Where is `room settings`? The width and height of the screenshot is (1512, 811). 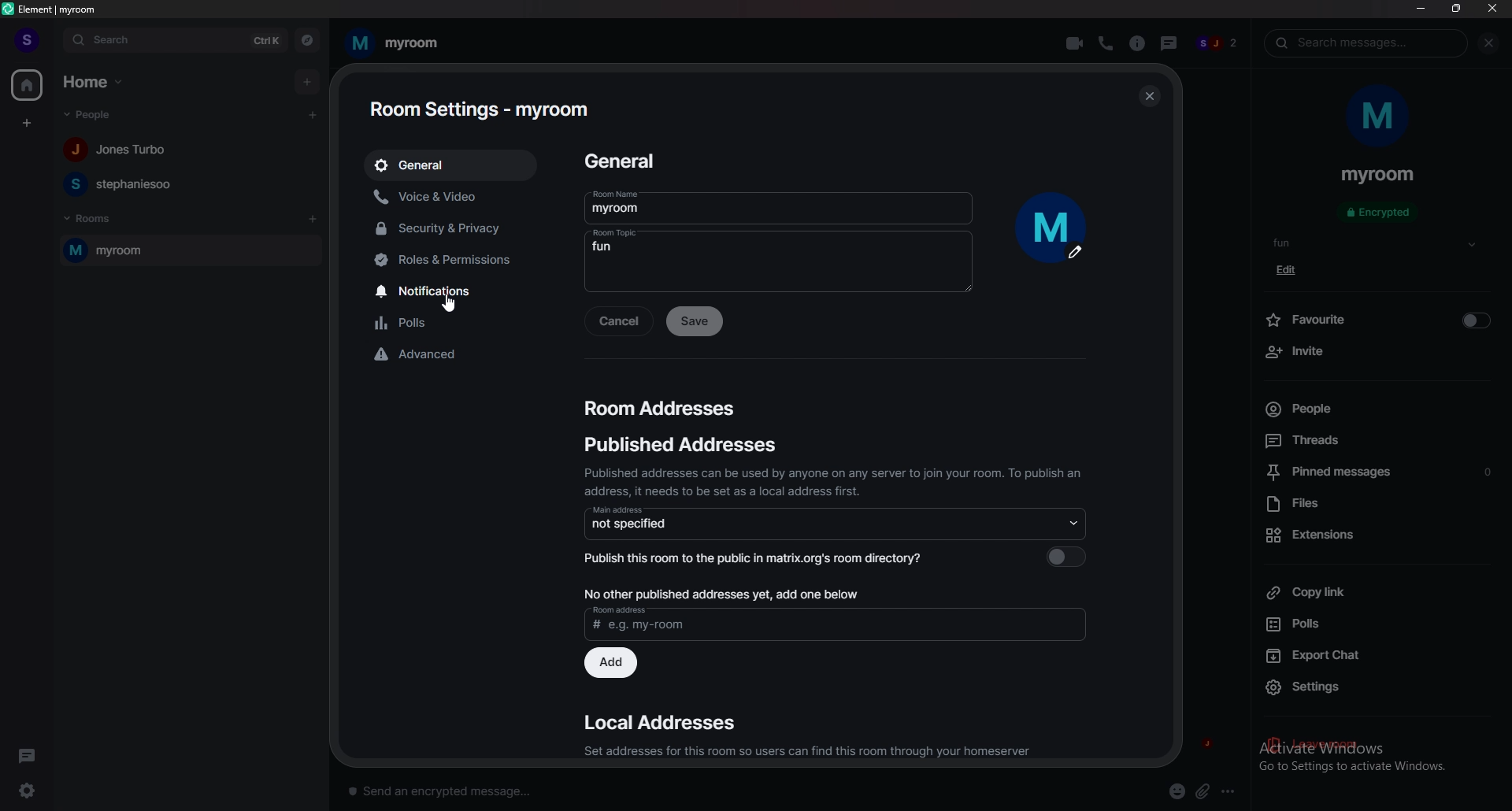 room settings is located at coordinates (479, 109).